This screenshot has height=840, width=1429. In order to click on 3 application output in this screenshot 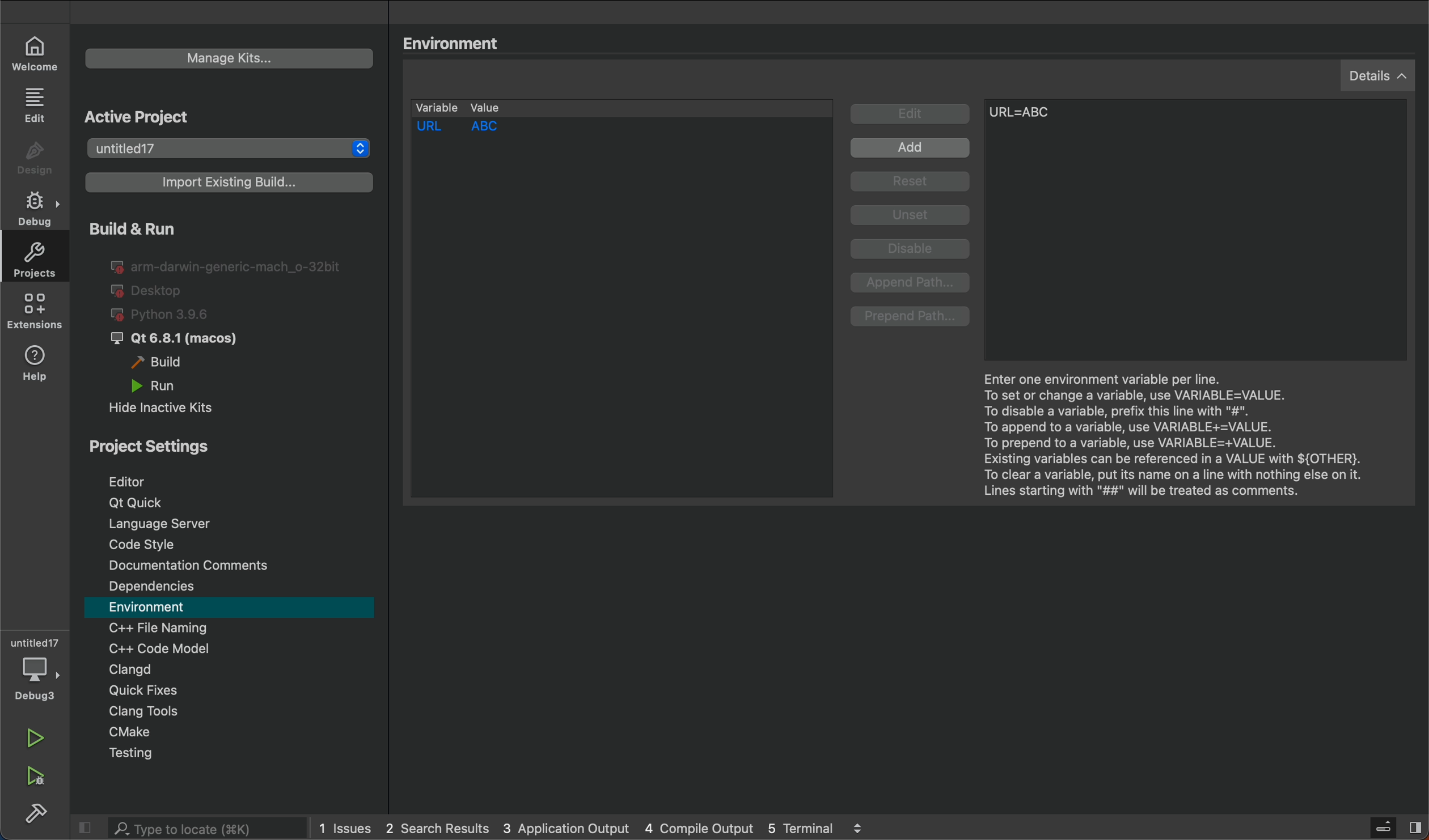, I will do `click(565, 828)`.